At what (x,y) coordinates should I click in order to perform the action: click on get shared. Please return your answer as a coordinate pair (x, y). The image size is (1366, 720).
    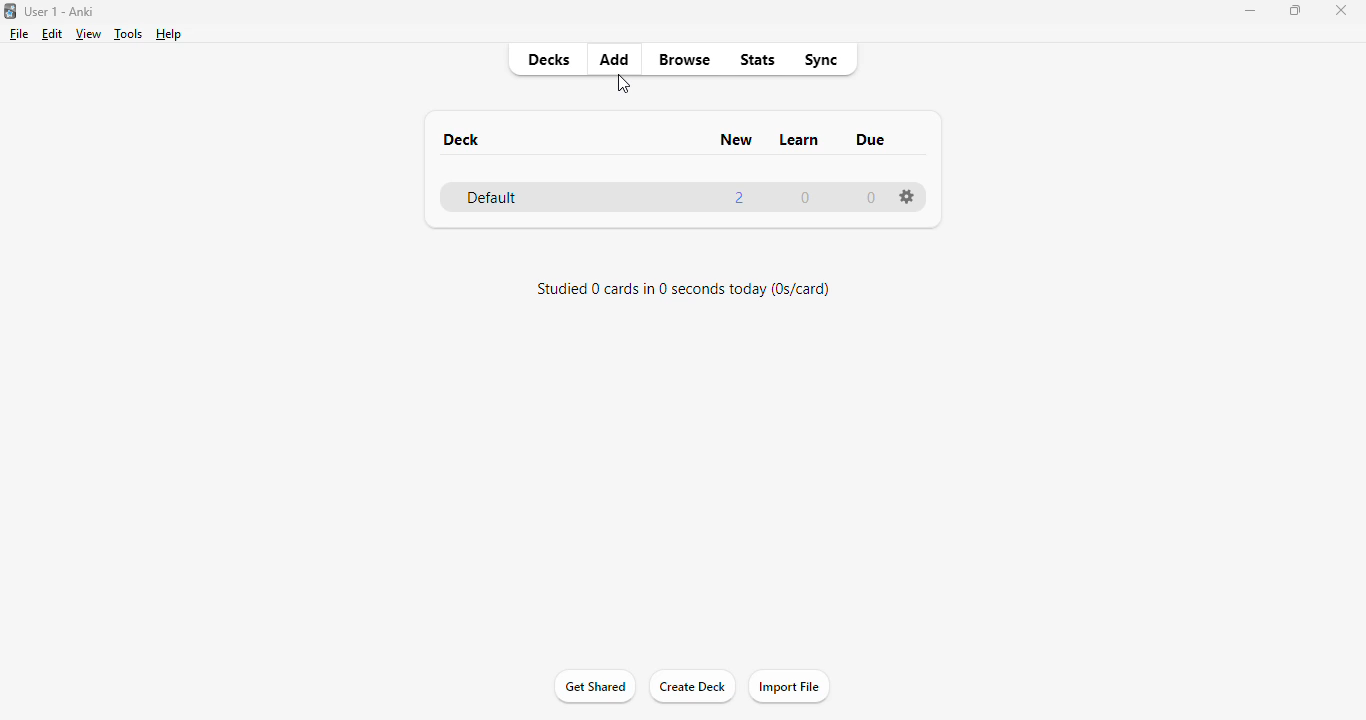
    Looking at the image, I should click on (594, 687).